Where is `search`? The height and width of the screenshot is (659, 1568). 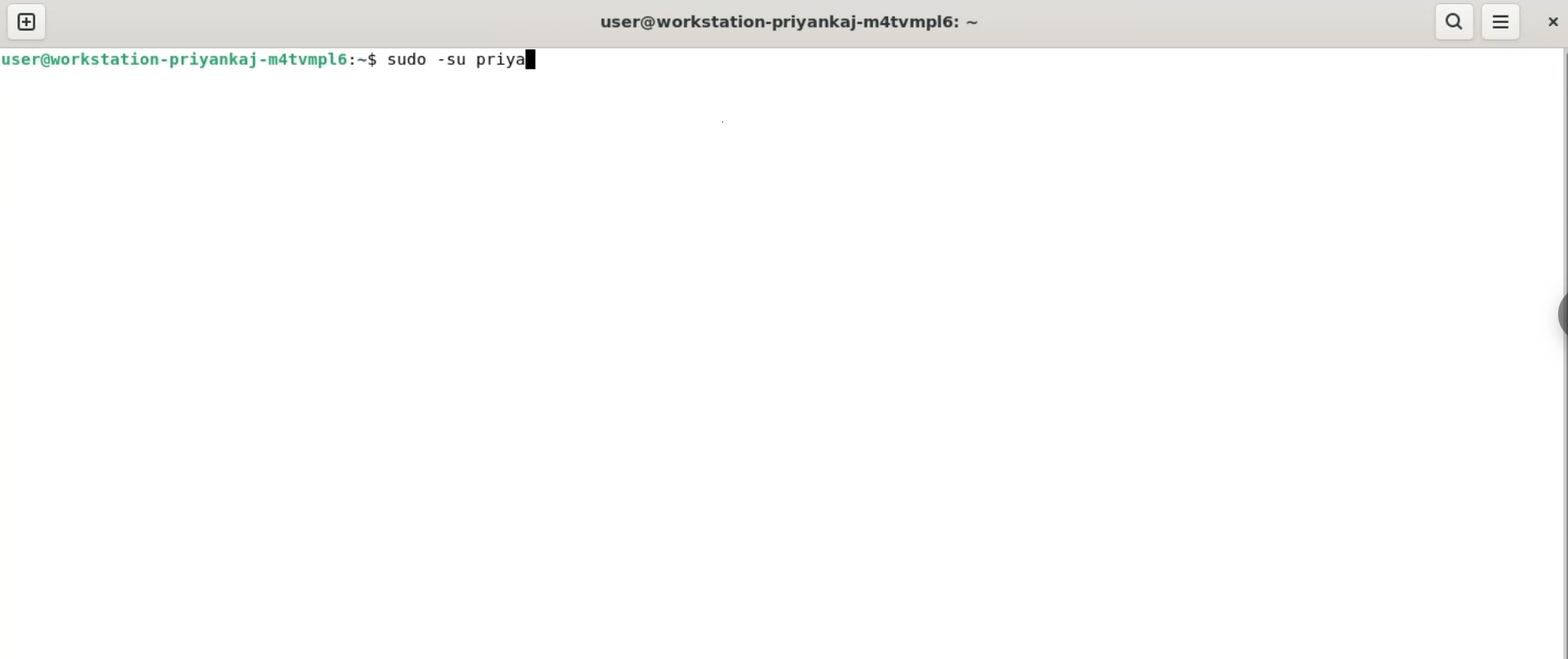
search is located at coordinates (1455, 21).